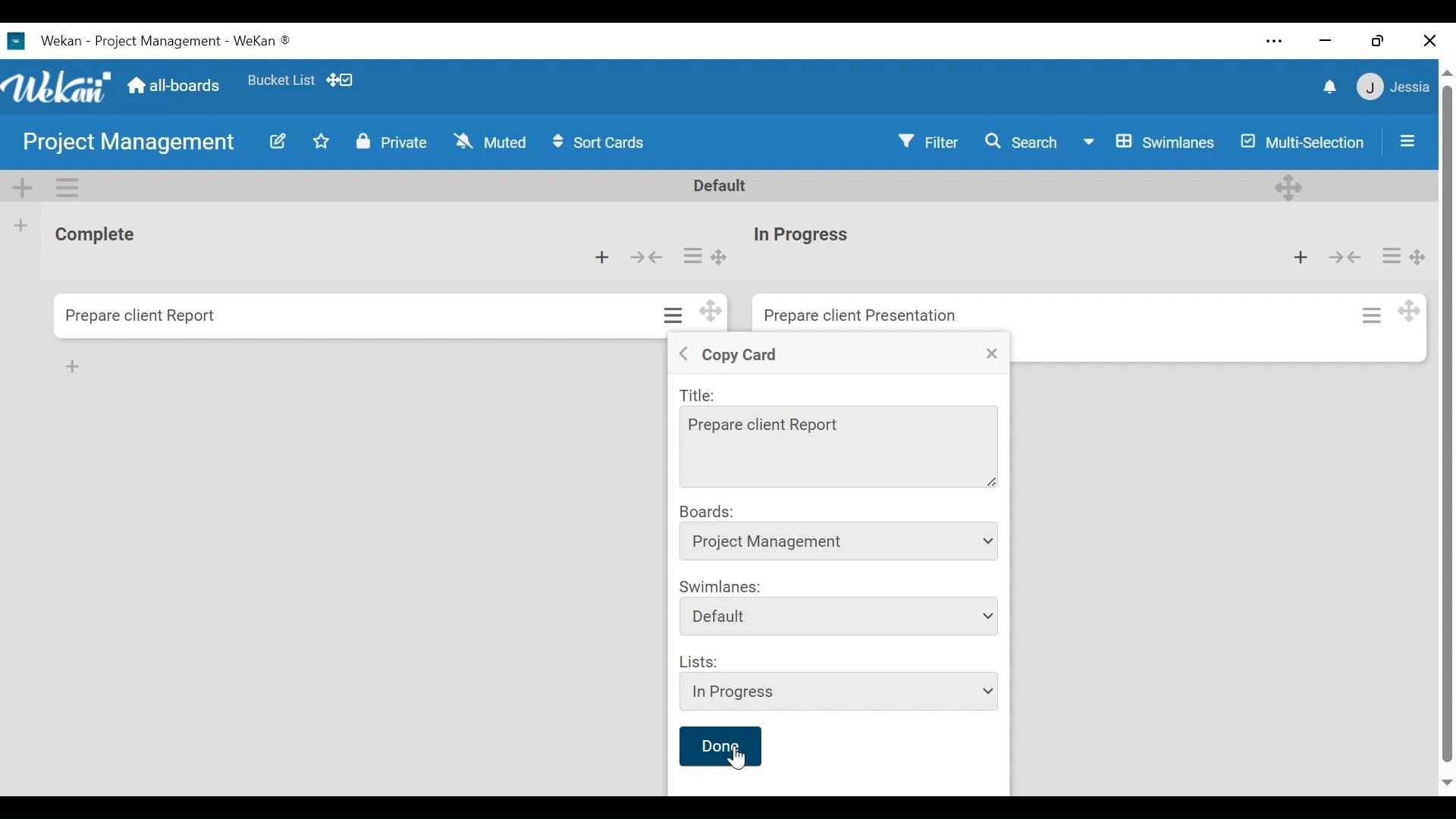 This screenshot has height=819, width=1456. Describe the element at coordinates (993, 354) in the screenshot. I see `Close` at that location.